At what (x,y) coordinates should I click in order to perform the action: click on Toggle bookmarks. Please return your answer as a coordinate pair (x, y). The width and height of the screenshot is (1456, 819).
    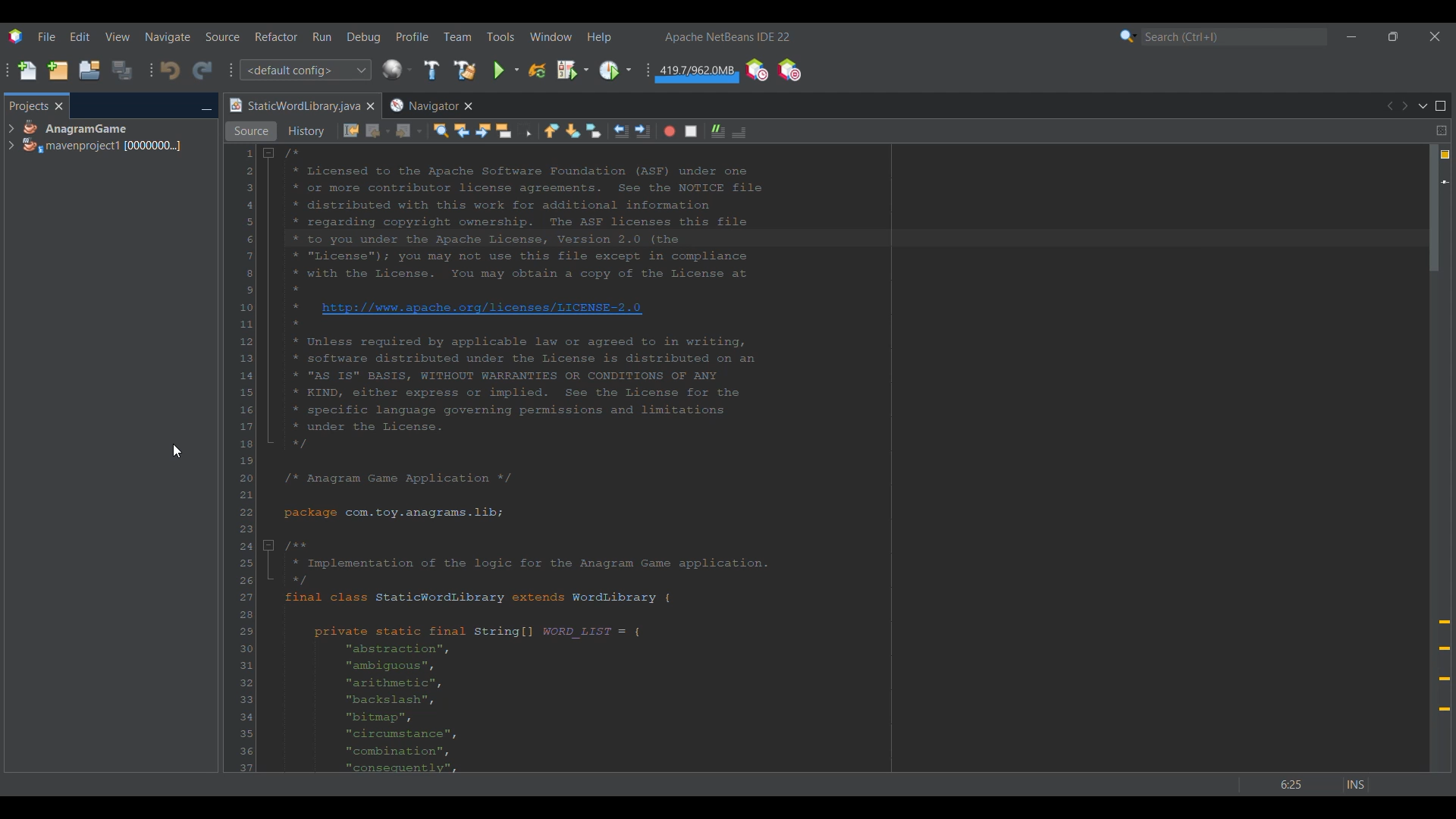
    Looking at the image, I should click on (593, 130).